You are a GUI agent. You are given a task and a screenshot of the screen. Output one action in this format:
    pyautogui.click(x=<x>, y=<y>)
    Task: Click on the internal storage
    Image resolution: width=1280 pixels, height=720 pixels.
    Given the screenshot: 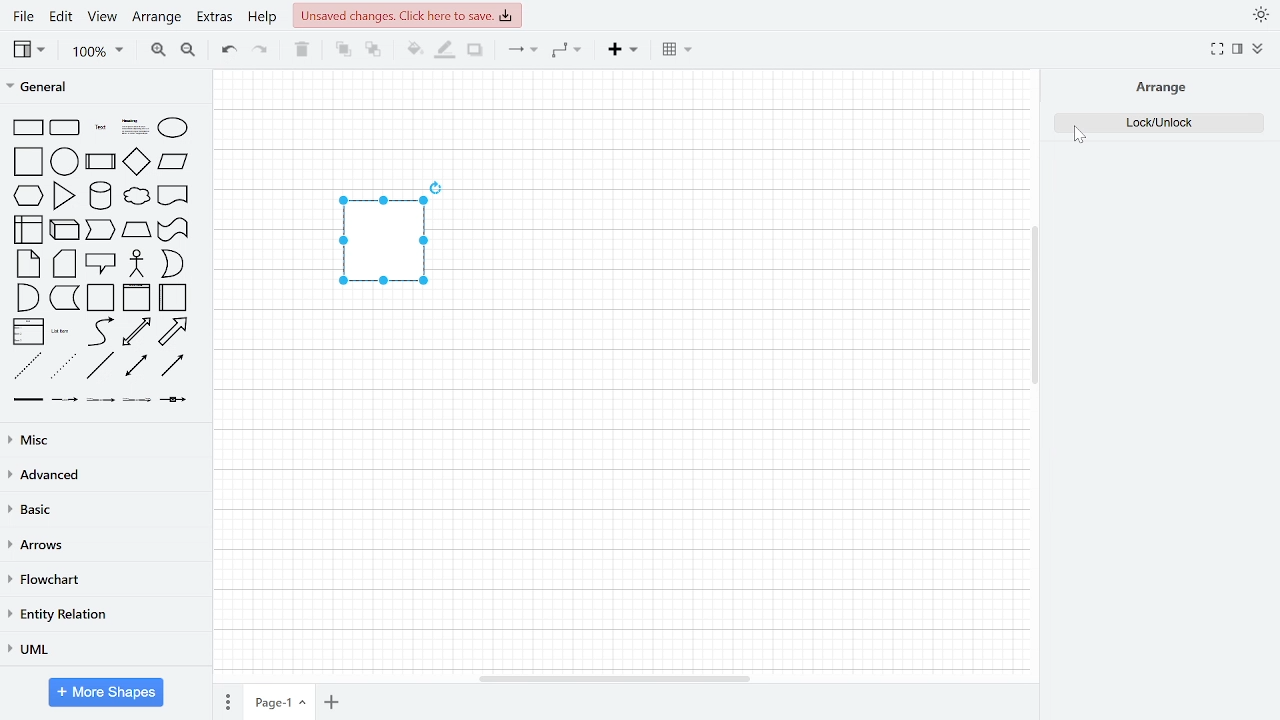 What is the action you would take?
    pyautogui.click(x=28, y=228)
    